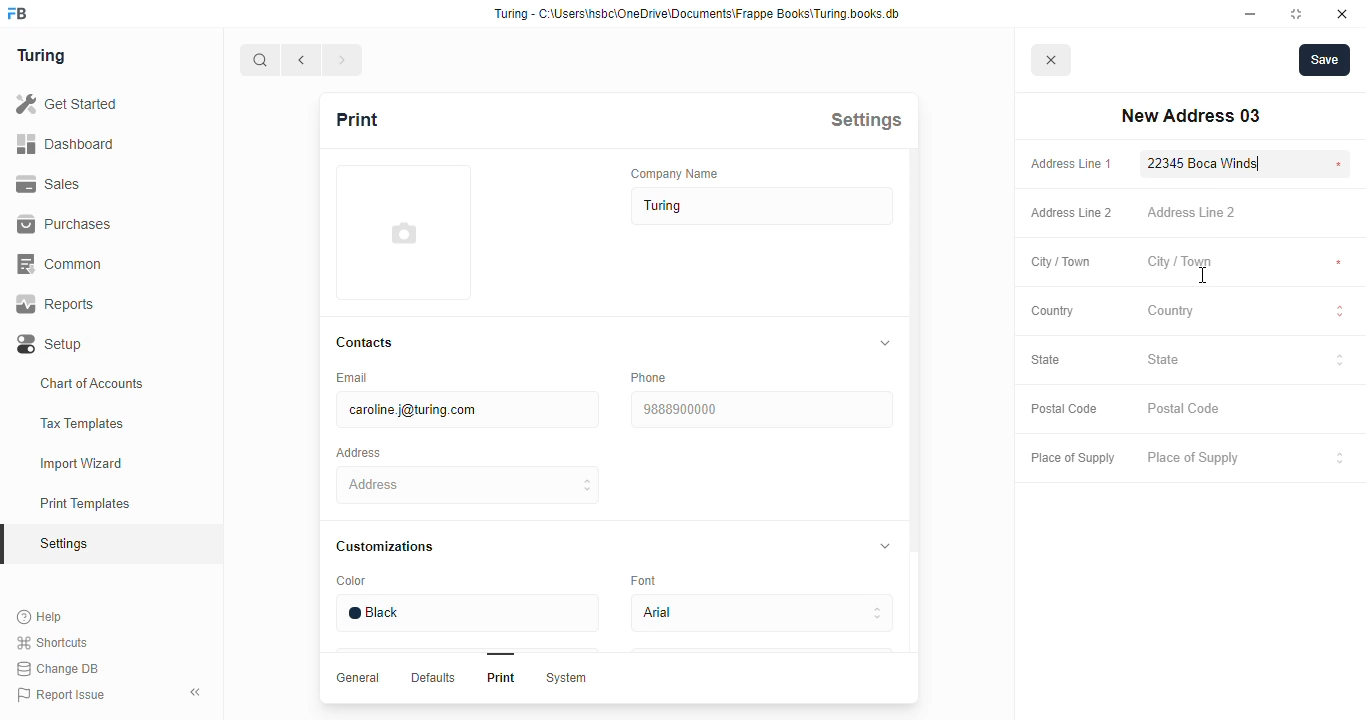 This screenshot has width=1366, height=720. I want to click on country, so click(1053, 311).